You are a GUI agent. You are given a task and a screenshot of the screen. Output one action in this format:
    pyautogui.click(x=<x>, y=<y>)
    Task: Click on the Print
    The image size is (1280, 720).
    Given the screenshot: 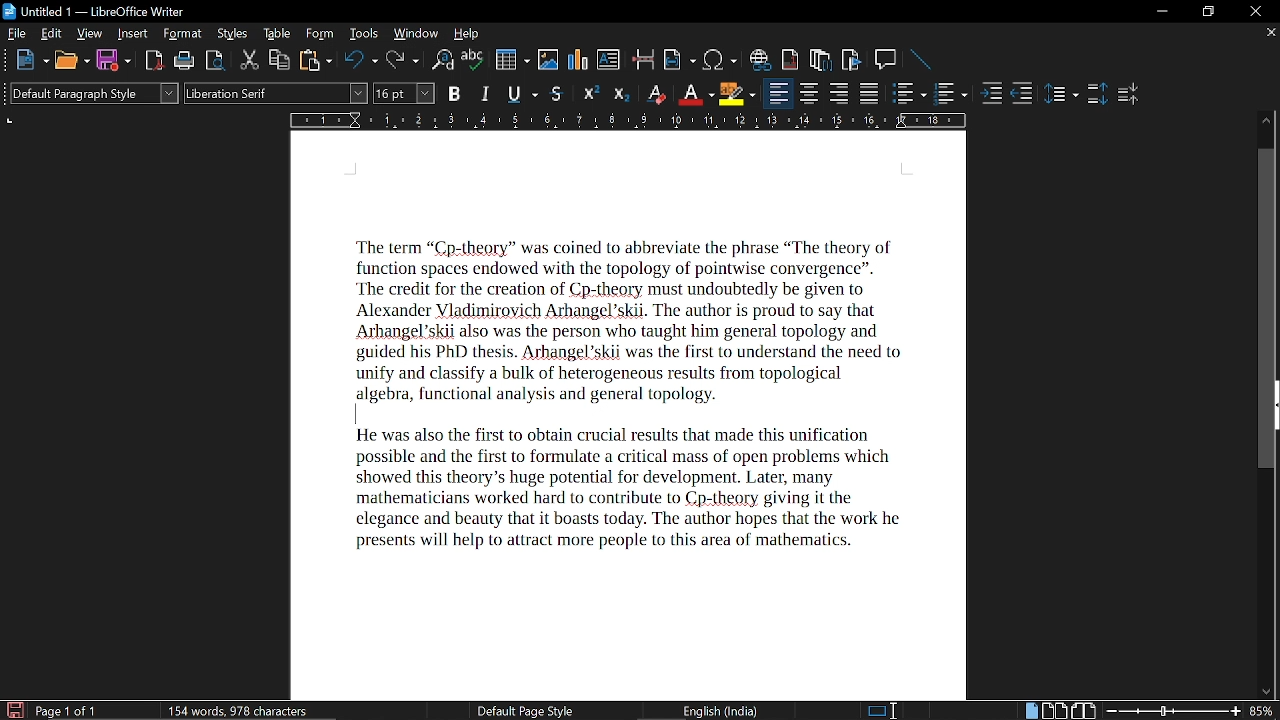 What is the action you would take?
    pyautogui.click(x=183, y=62)
    